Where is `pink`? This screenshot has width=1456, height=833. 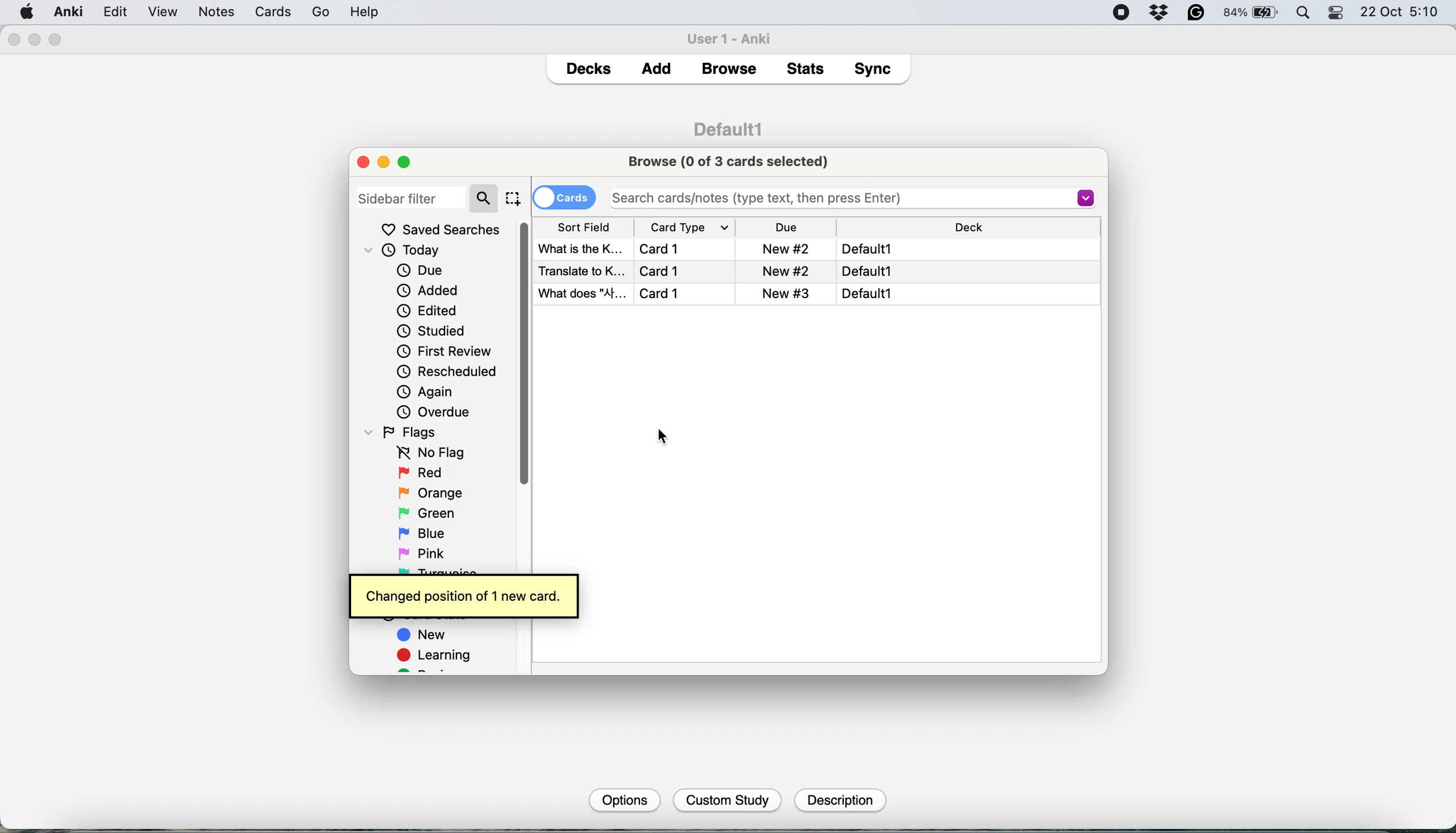 pink is located at coordinates (424, 552).